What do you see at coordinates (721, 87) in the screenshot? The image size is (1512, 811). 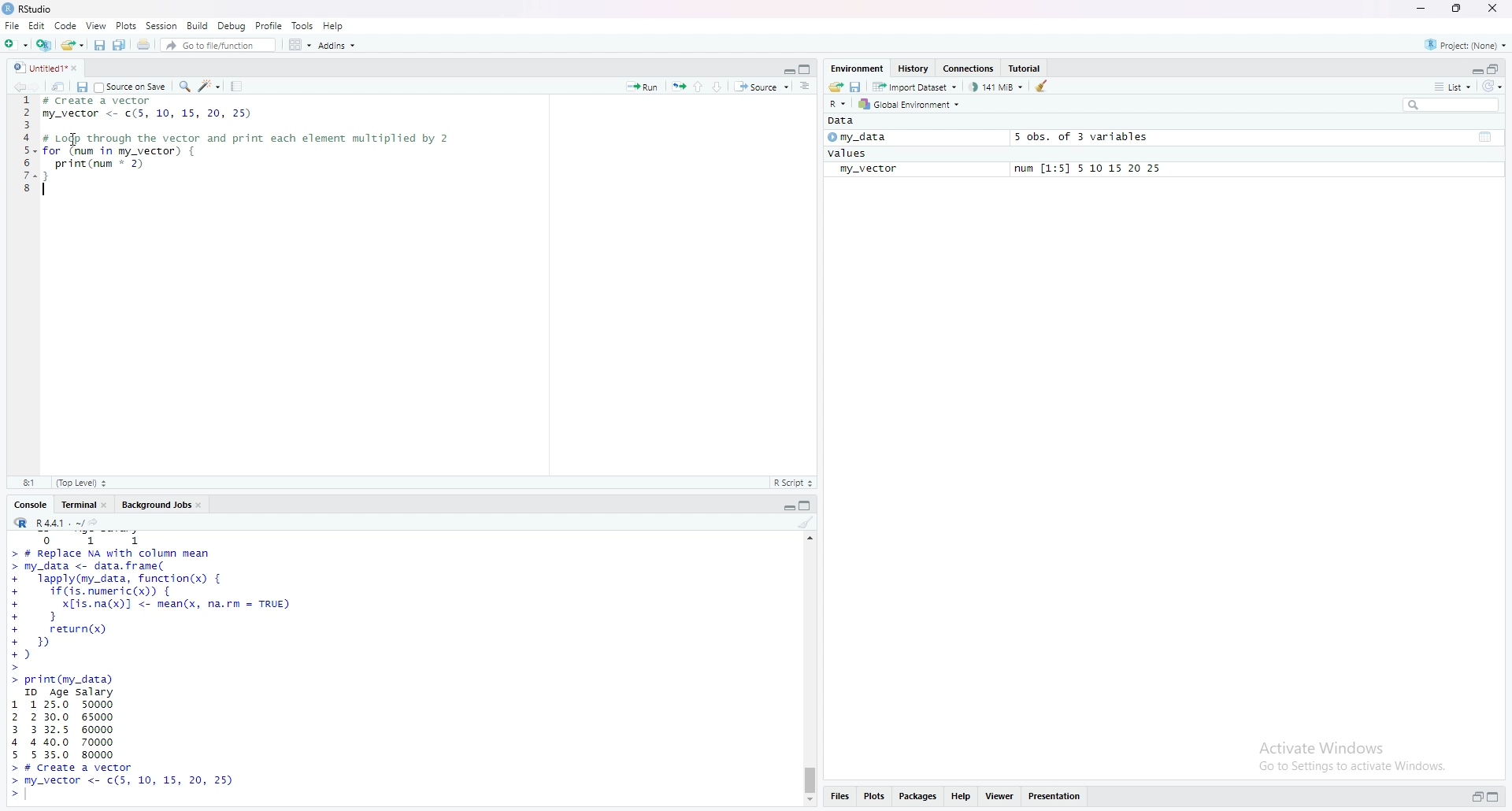 I see `go to next section` at bounding box center [721, 87].